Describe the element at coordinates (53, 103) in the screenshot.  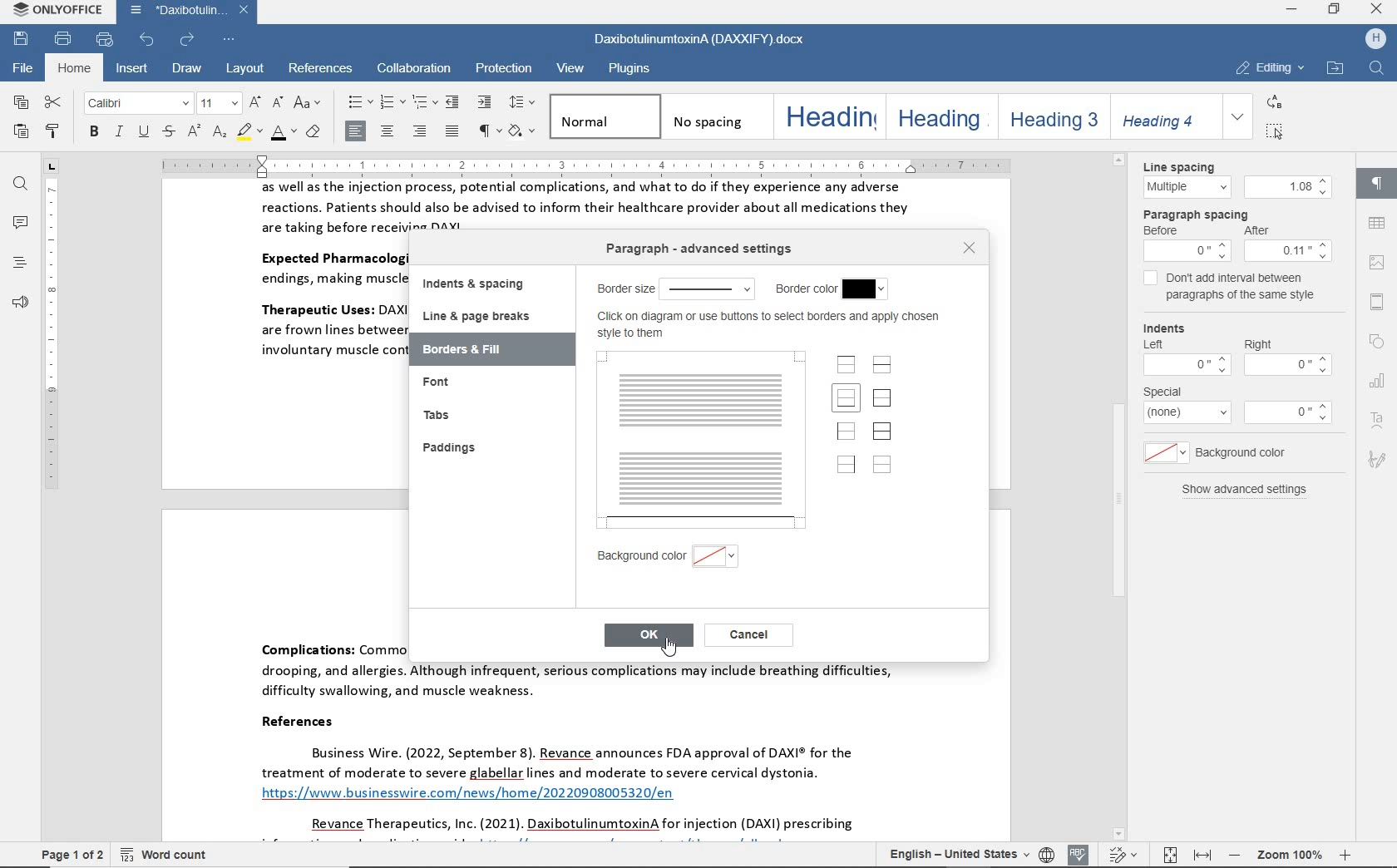
I see `cut` at that location.